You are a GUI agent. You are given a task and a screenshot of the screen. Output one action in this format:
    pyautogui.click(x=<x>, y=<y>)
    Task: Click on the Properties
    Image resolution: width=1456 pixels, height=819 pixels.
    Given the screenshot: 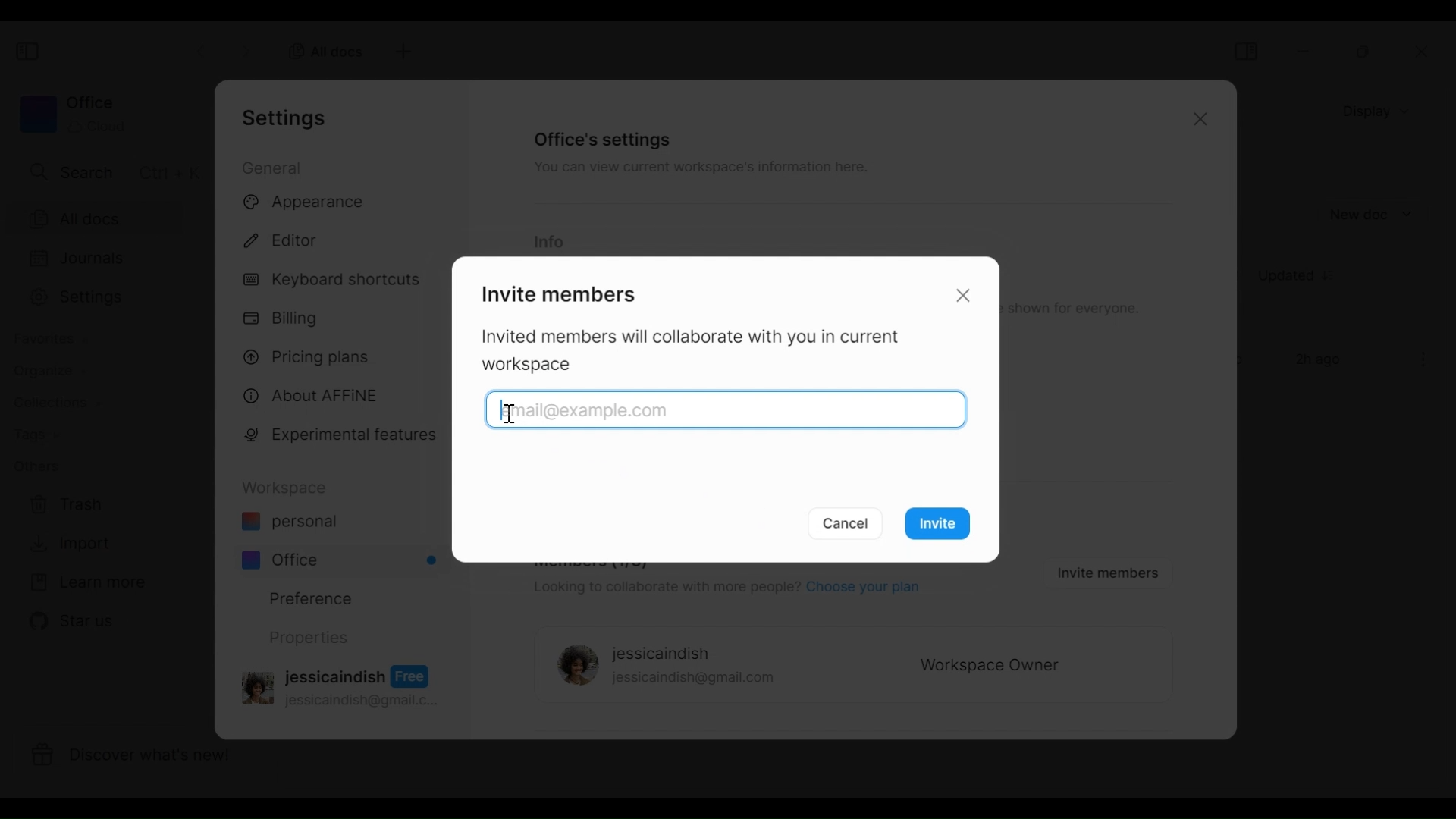 What is the action you would take?
    pyautogui.click(x=307, y=638)
    